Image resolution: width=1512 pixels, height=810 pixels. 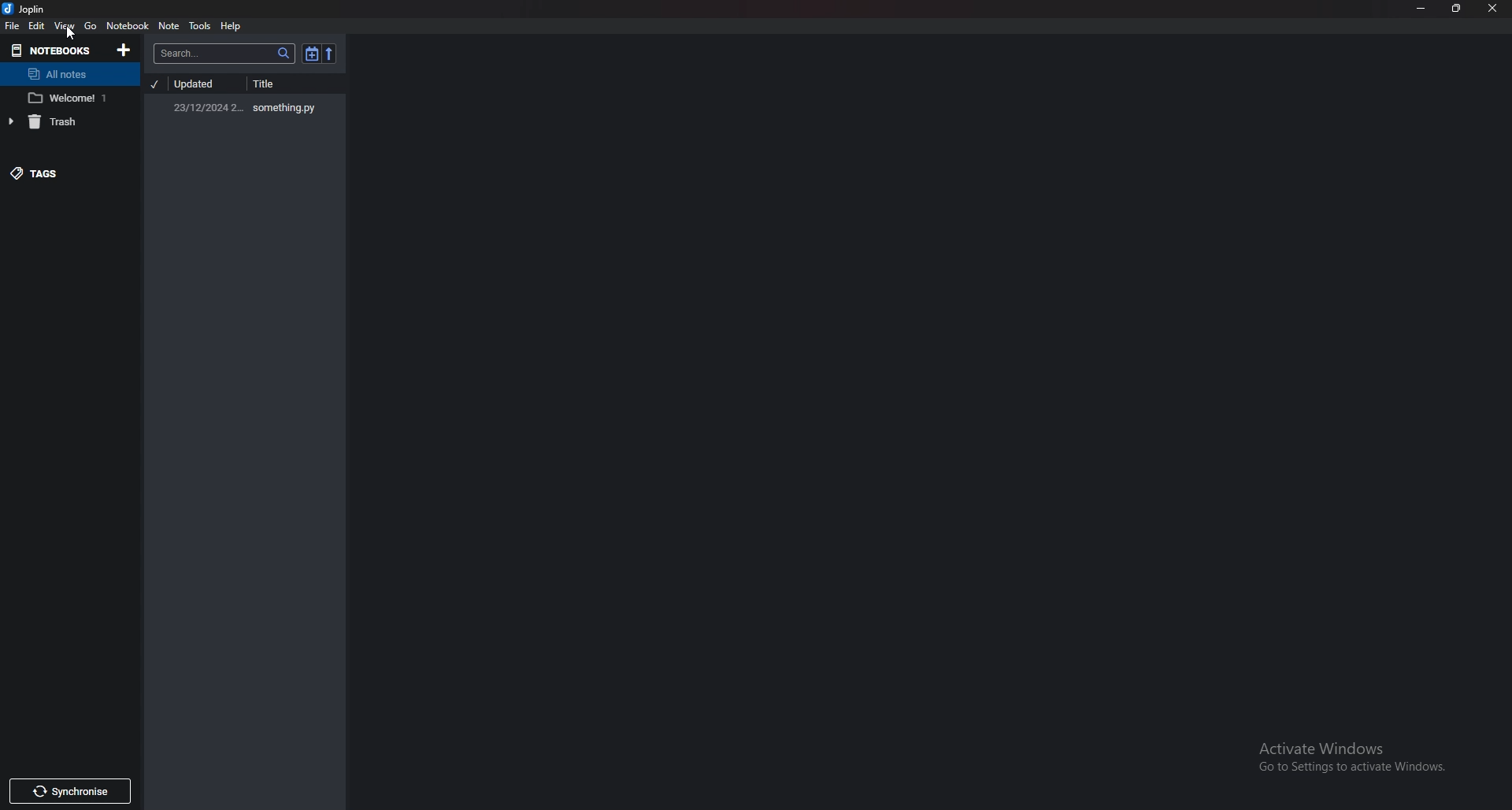 I want to click on go, so click(x=91, y=26).